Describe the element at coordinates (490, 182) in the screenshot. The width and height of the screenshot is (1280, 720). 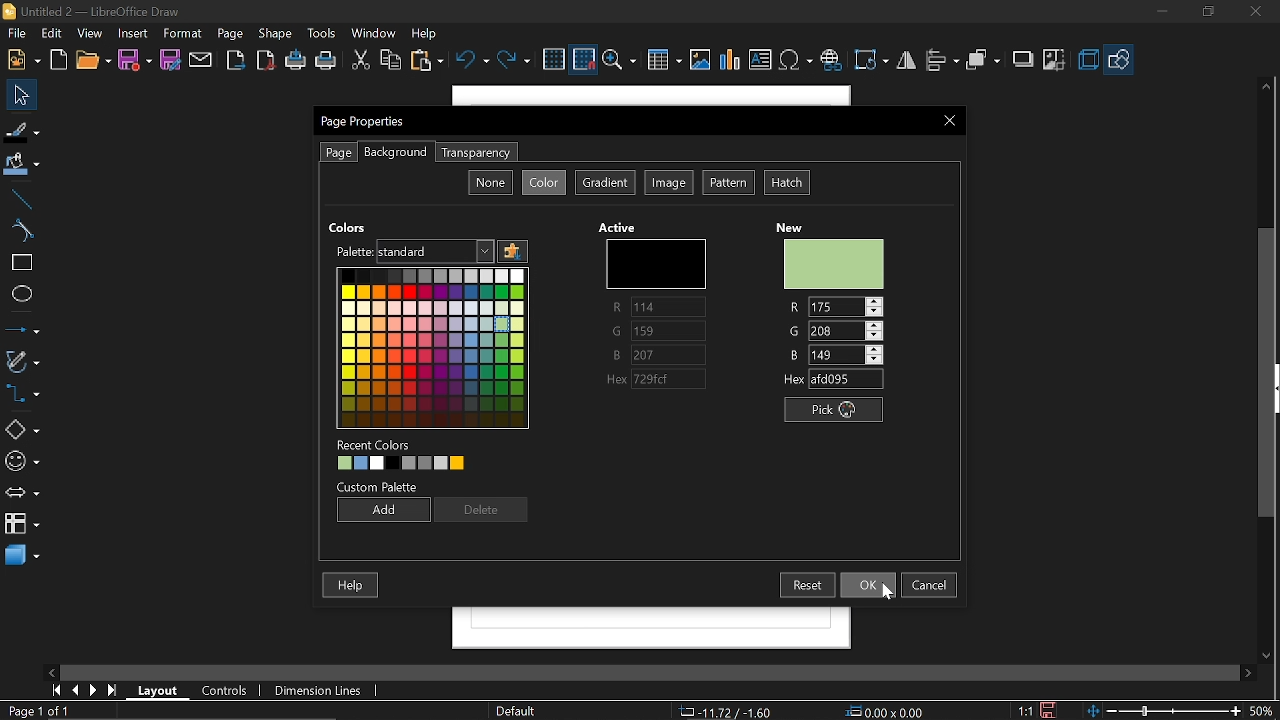
I see `None` at that location.